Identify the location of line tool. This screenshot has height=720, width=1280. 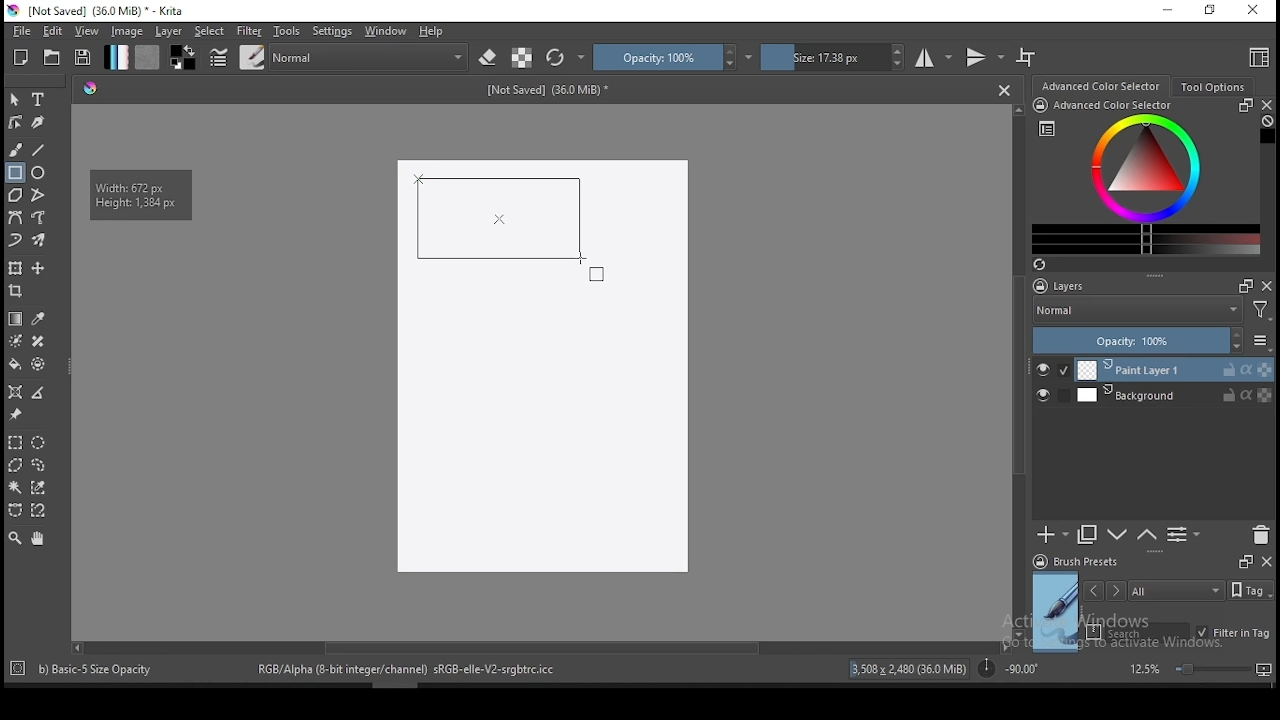
(39, 150).